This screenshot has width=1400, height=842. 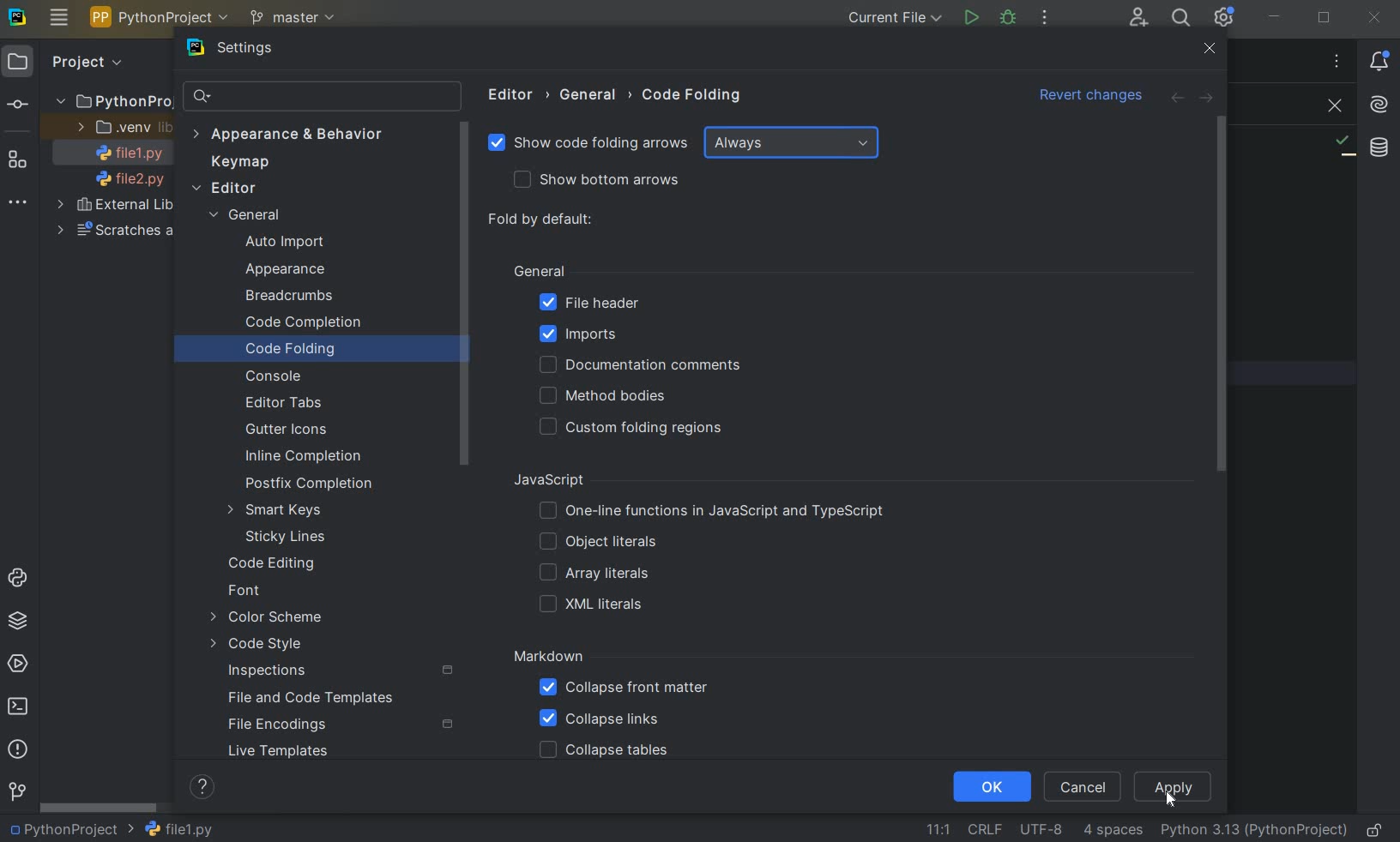 I want to click on PYTHON CONSOLE, so click(x=20, y=574).